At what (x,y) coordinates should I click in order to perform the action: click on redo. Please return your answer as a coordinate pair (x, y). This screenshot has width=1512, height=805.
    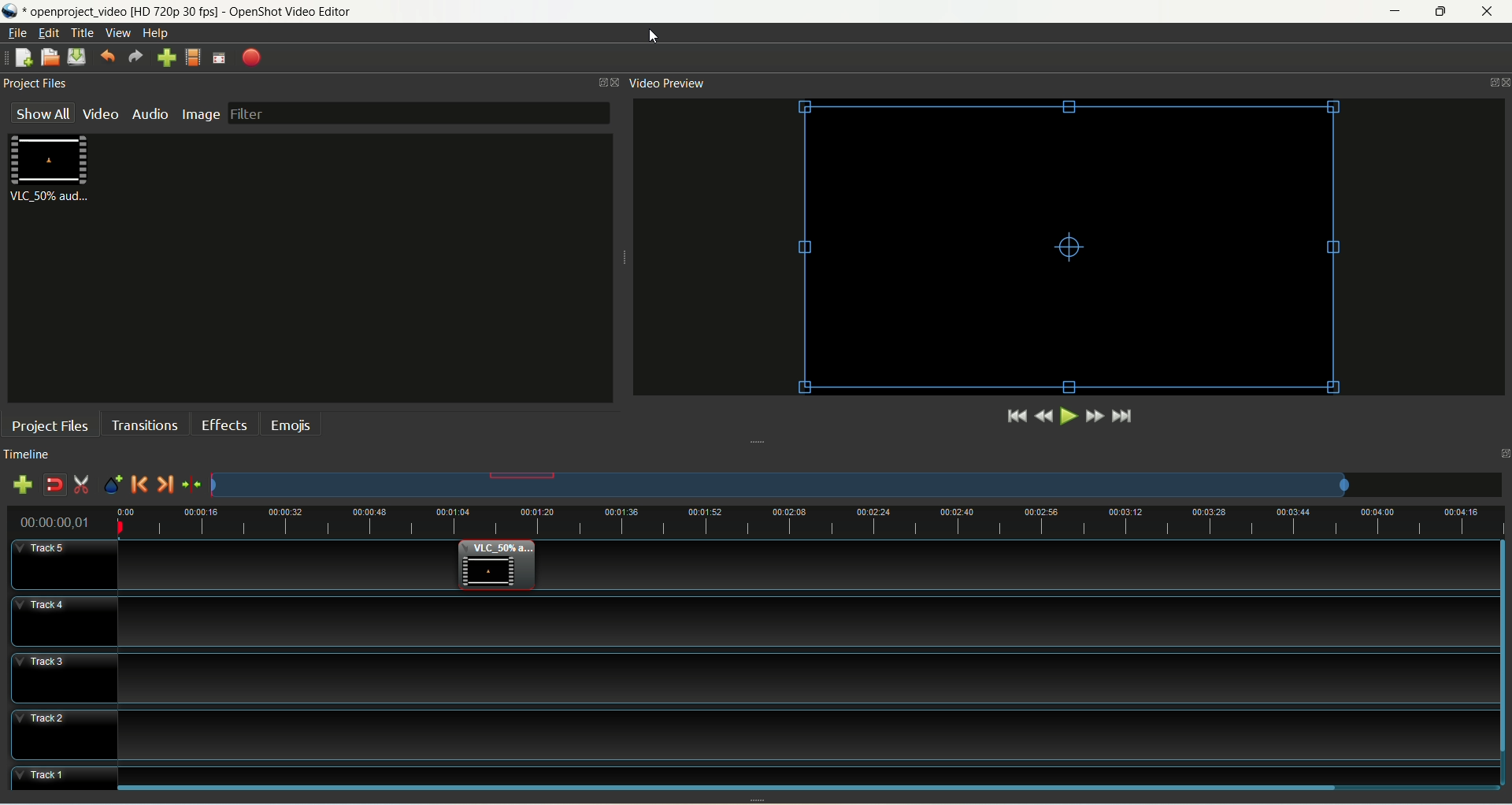
    Looking at the image, I should click on (136, 57).